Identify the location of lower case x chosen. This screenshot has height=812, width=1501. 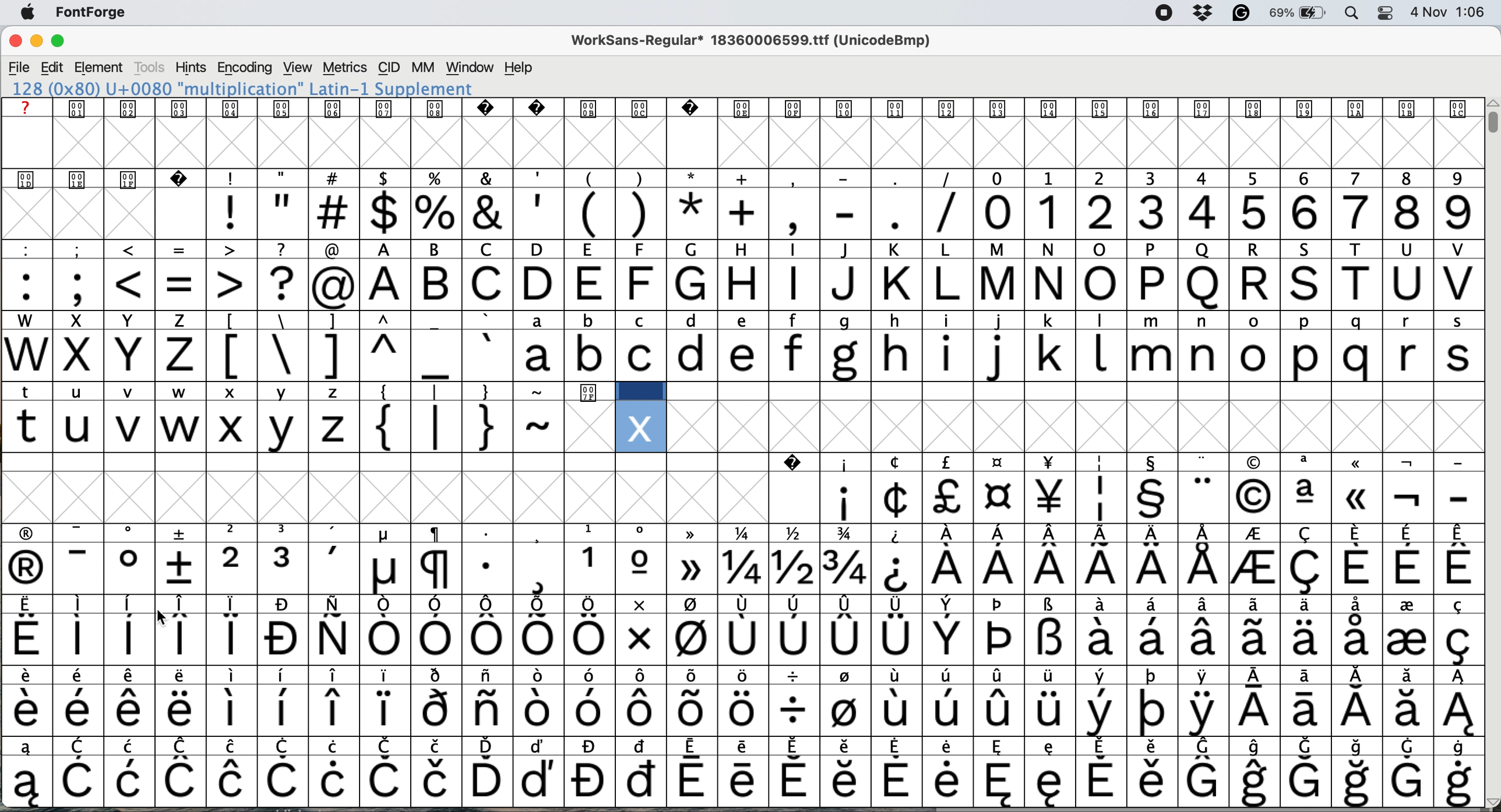
(231, 426).